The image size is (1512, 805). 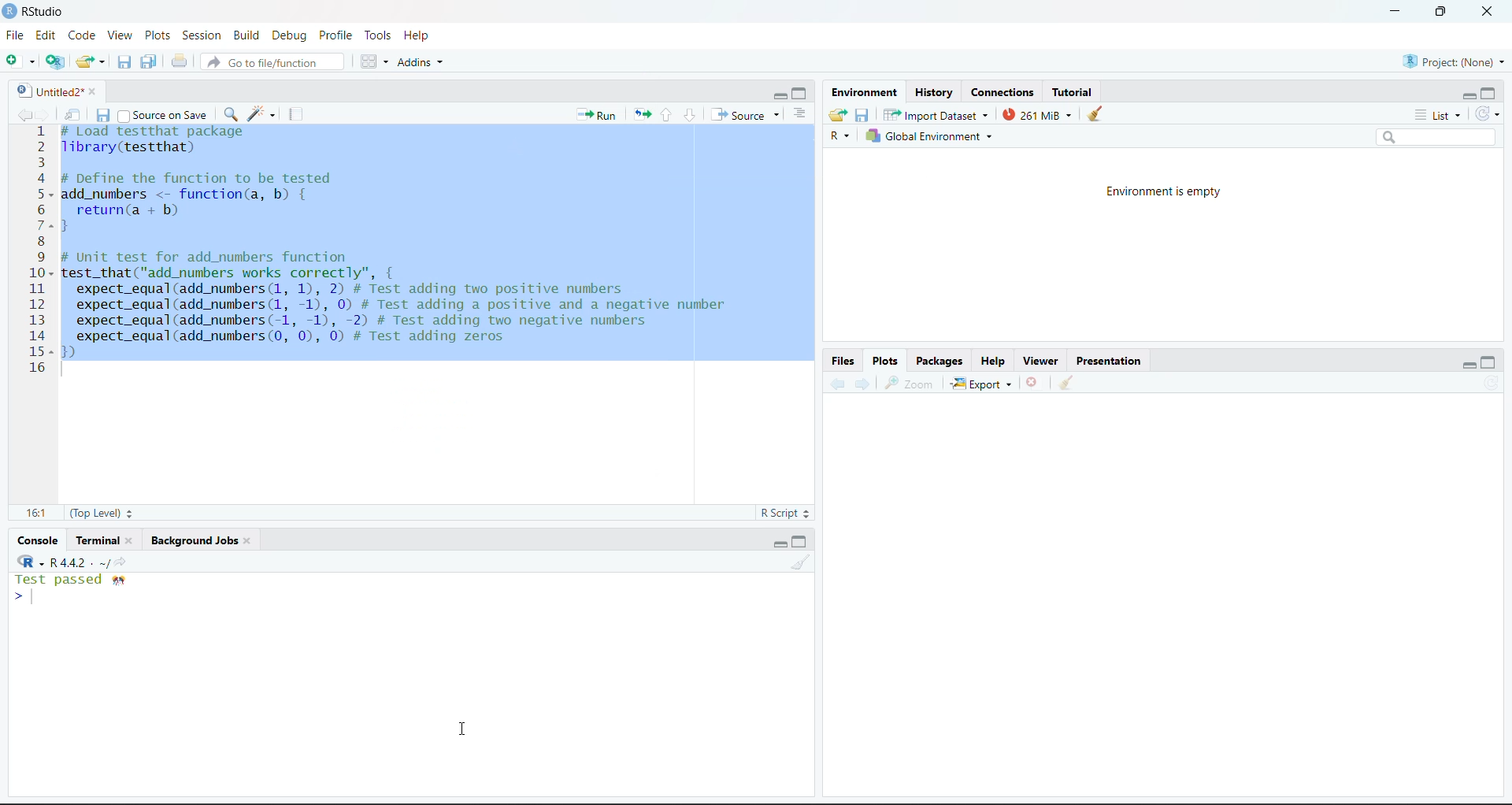 I want to click on Help, so click(x=416, y=35).